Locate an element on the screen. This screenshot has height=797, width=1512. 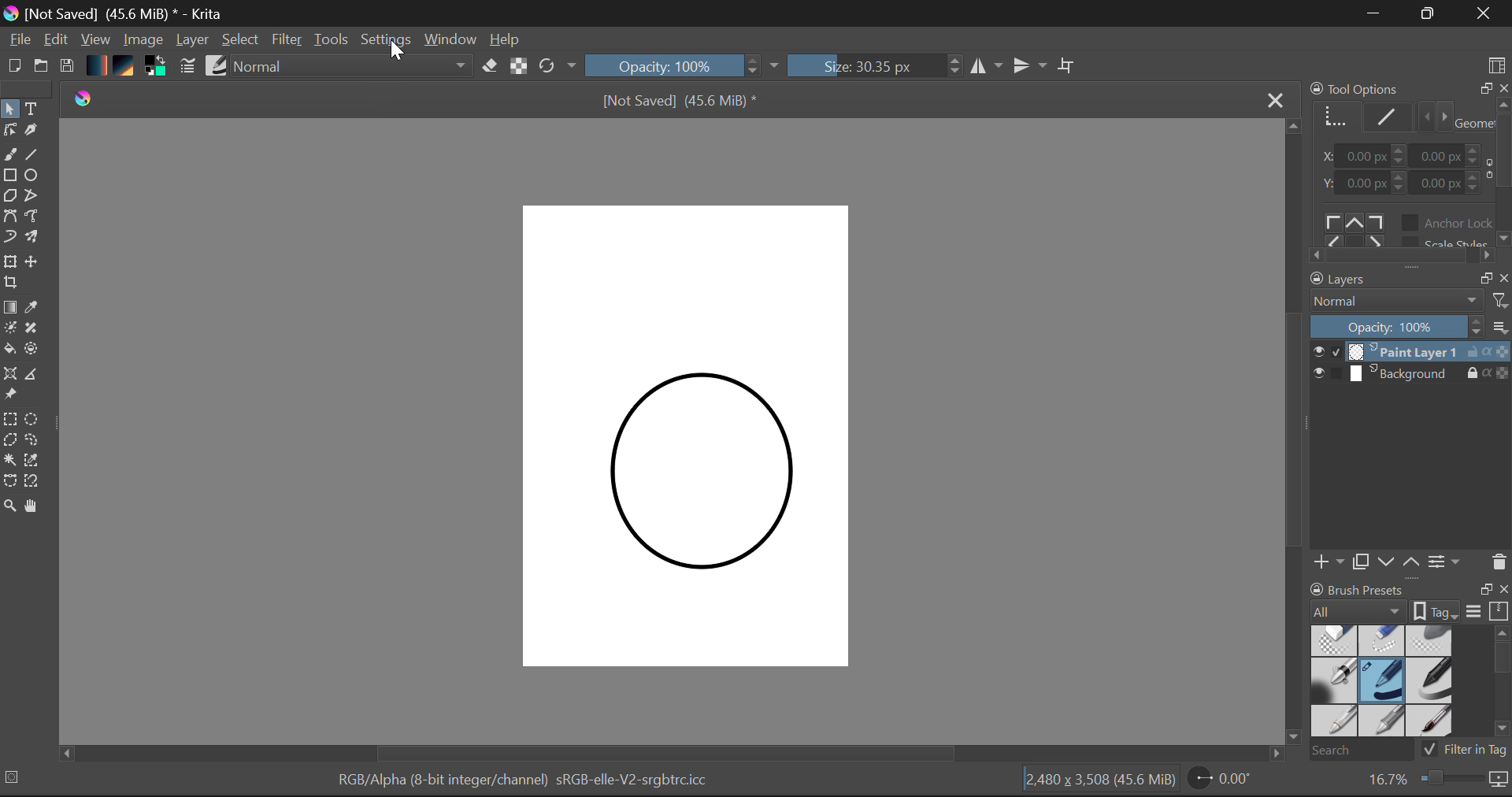
Crop is located at coordinates (1069, 69).